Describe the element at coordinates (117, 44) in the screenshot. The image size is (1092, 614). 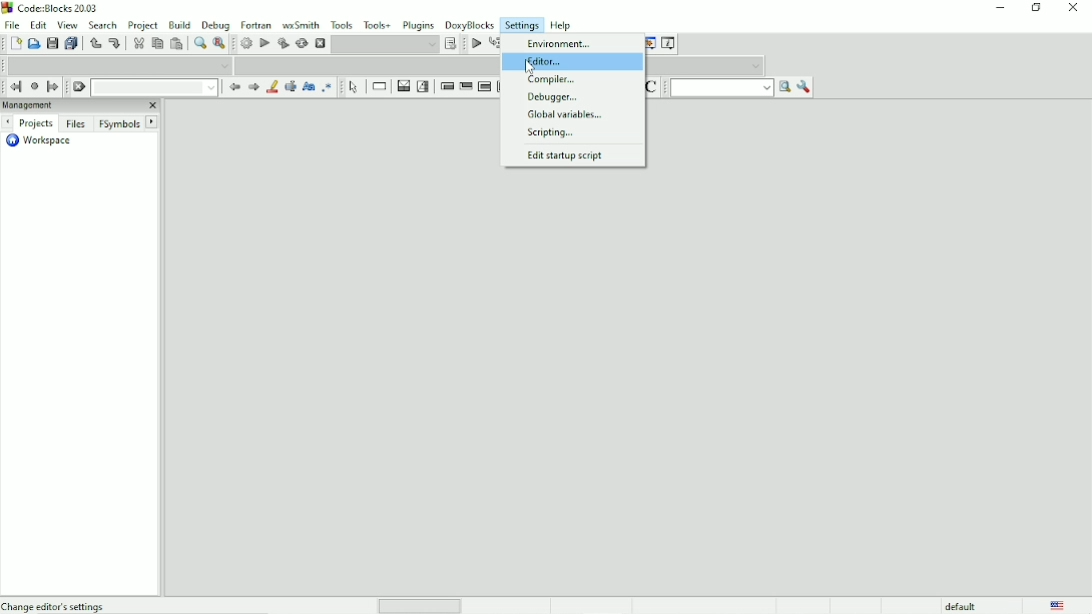
I see `Redo` at that location.